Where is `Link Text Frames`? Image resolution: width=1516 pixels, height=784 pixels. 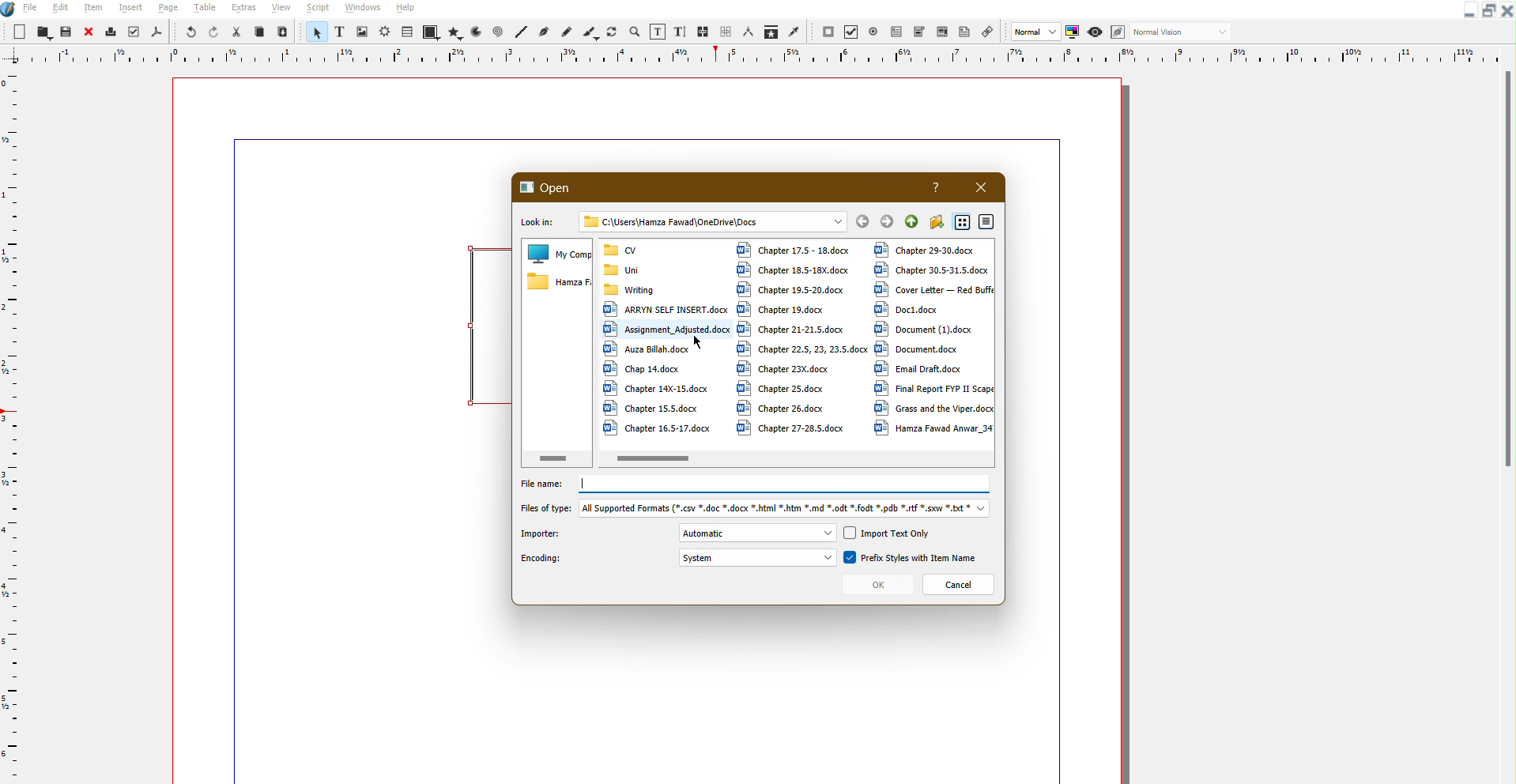 Link Text Frames is located at coordinates (715, 31).